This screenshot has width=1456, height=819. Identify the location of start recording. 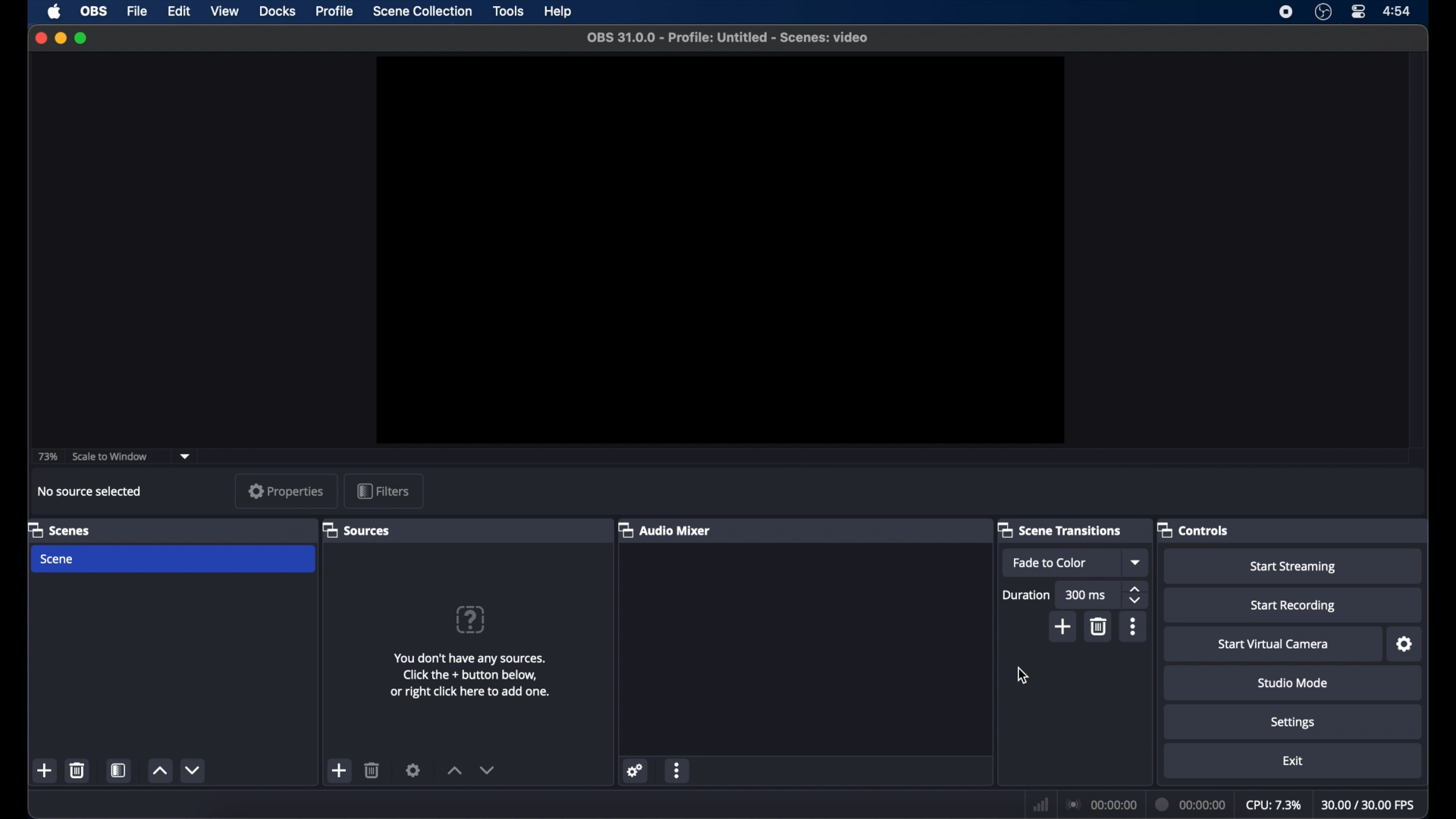
(1294, 607).